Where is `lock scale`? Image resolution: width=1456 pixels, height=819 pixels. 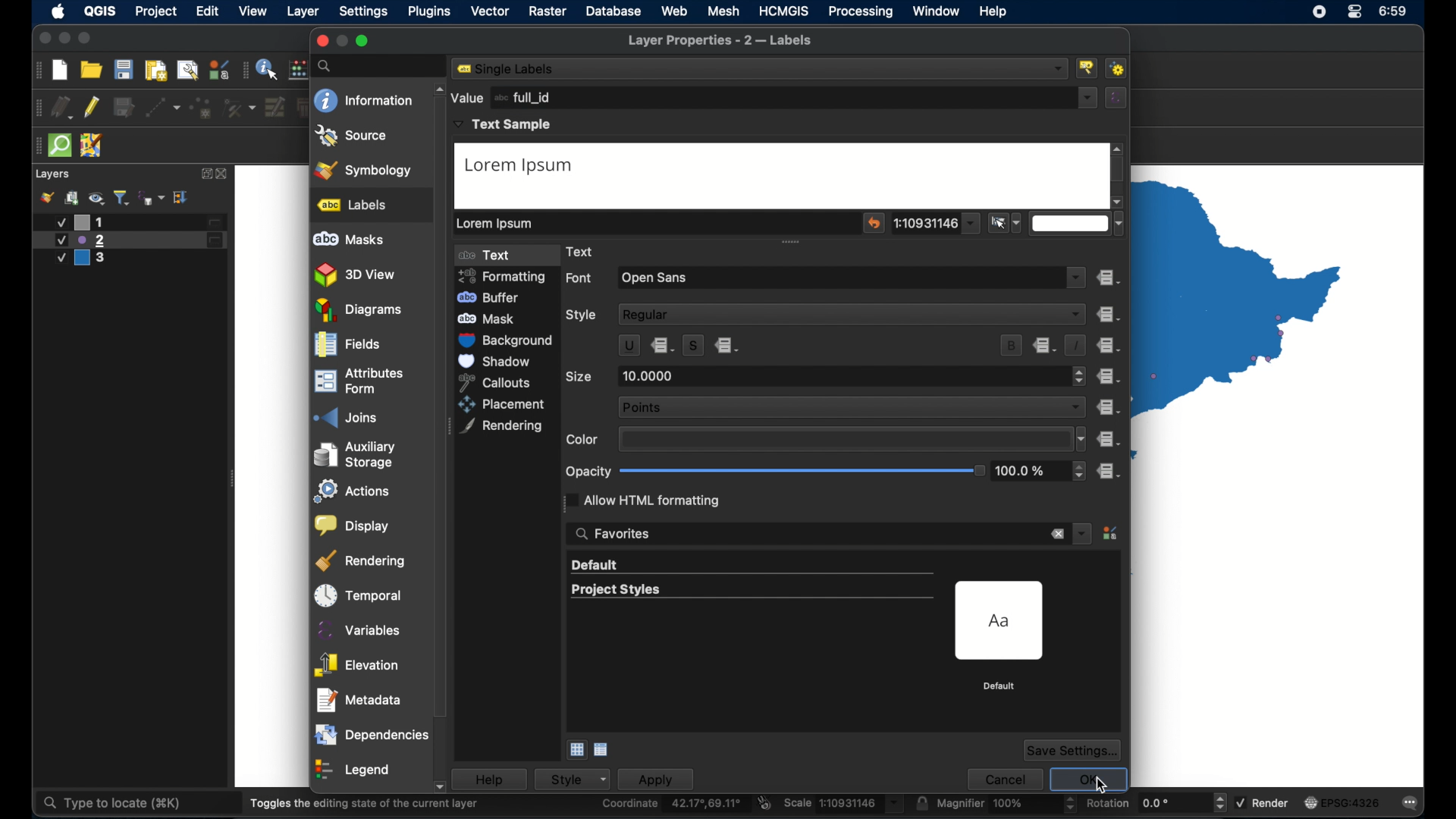
lock scale is located at coordinates (921, 803).